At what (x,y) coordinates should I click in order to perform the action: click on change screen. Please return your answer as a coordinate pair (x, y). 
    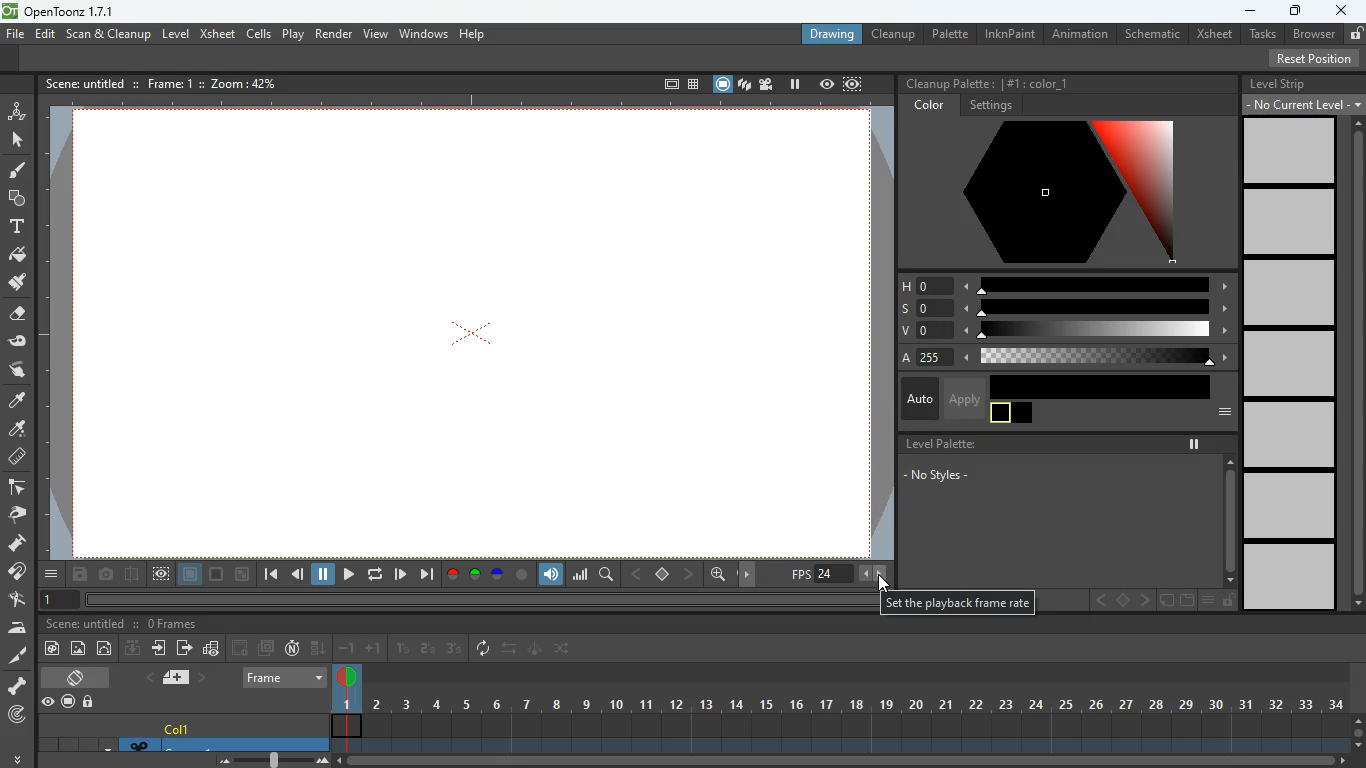
    Looking at the image, I should click on (77, 677).